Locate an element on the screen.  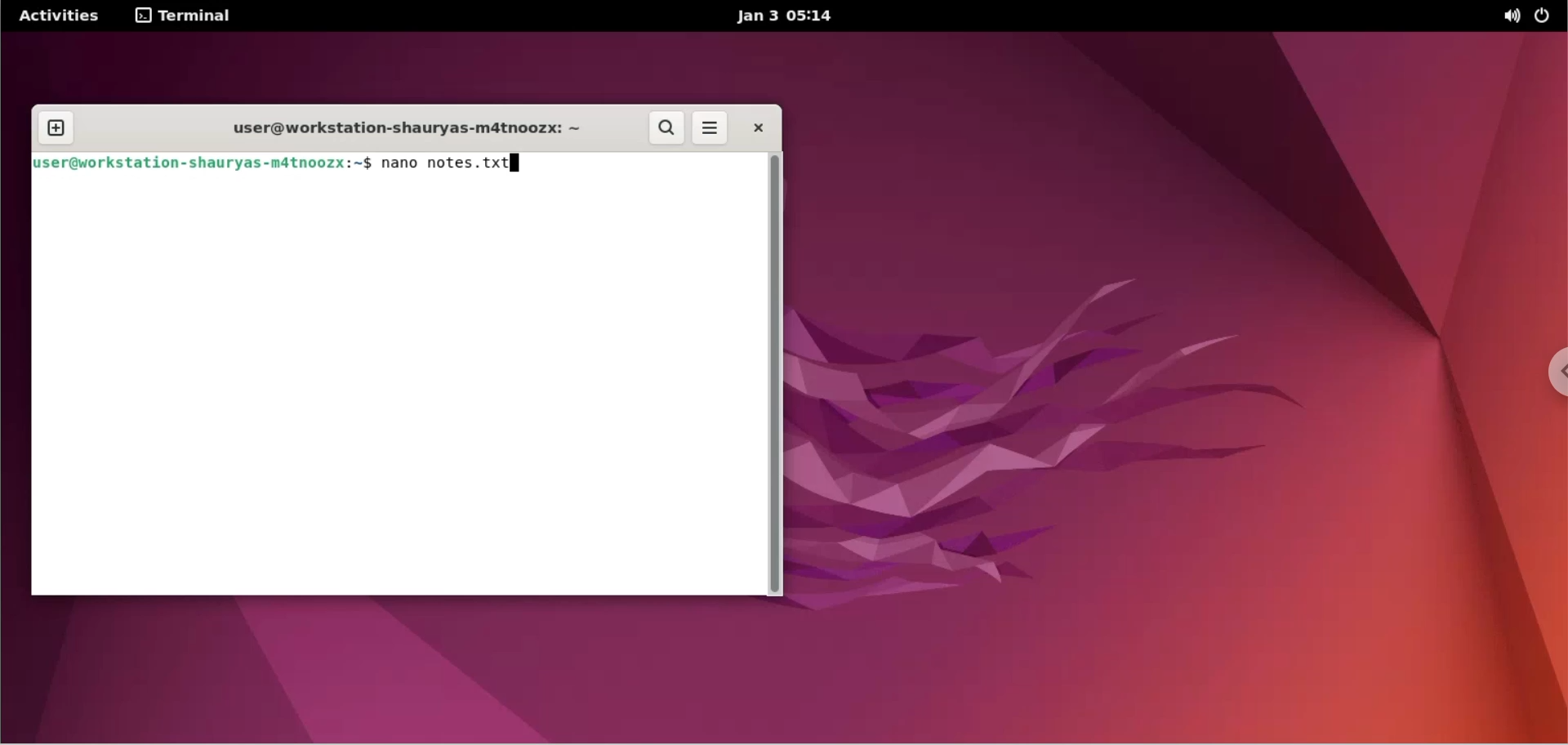
user@workstation-shauryas-m4tnoozx: ~ $ is located at coordinates (203, 165).